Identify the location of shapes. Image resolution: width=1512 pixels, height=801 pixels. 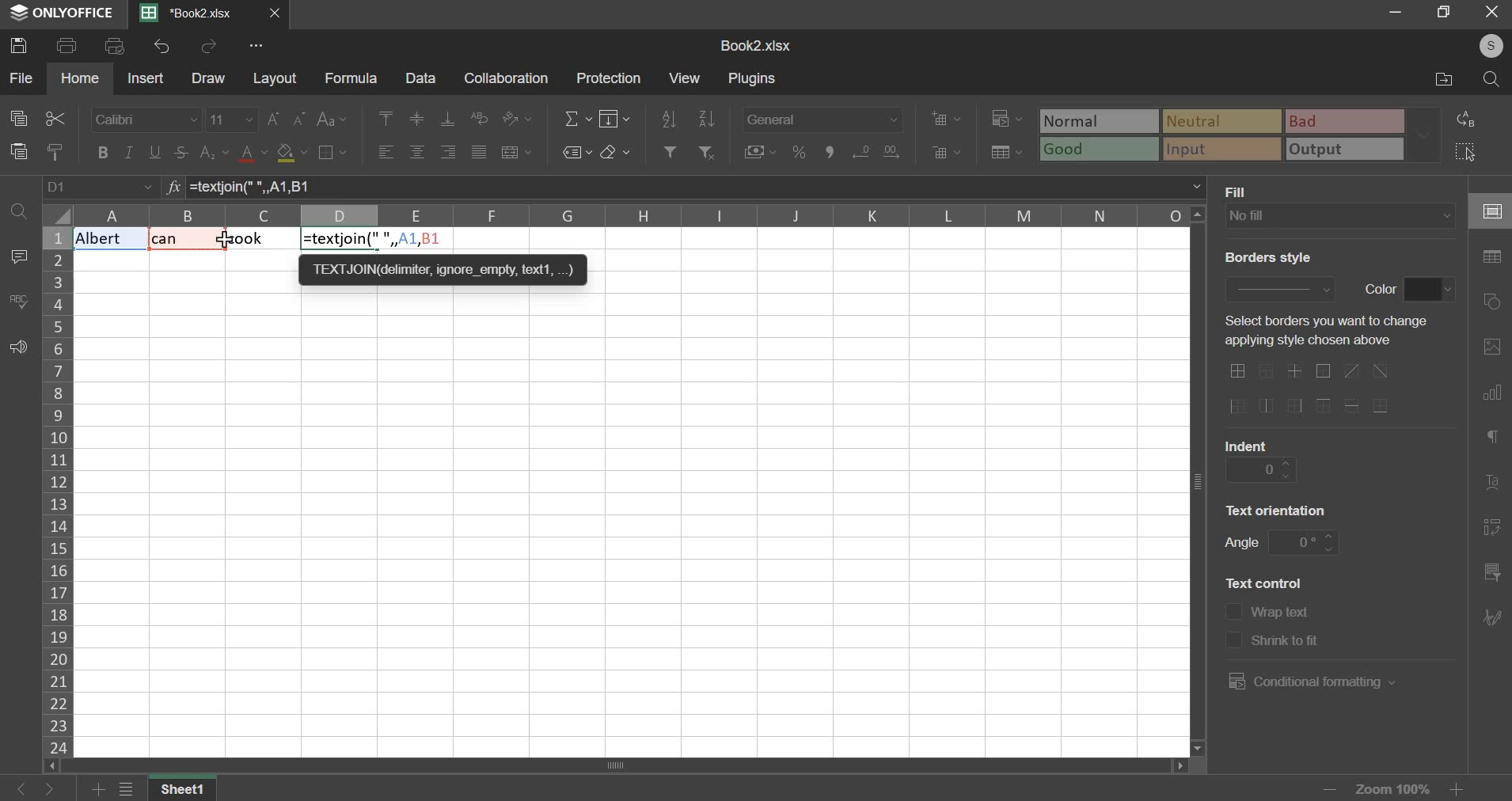
(1495, 302).